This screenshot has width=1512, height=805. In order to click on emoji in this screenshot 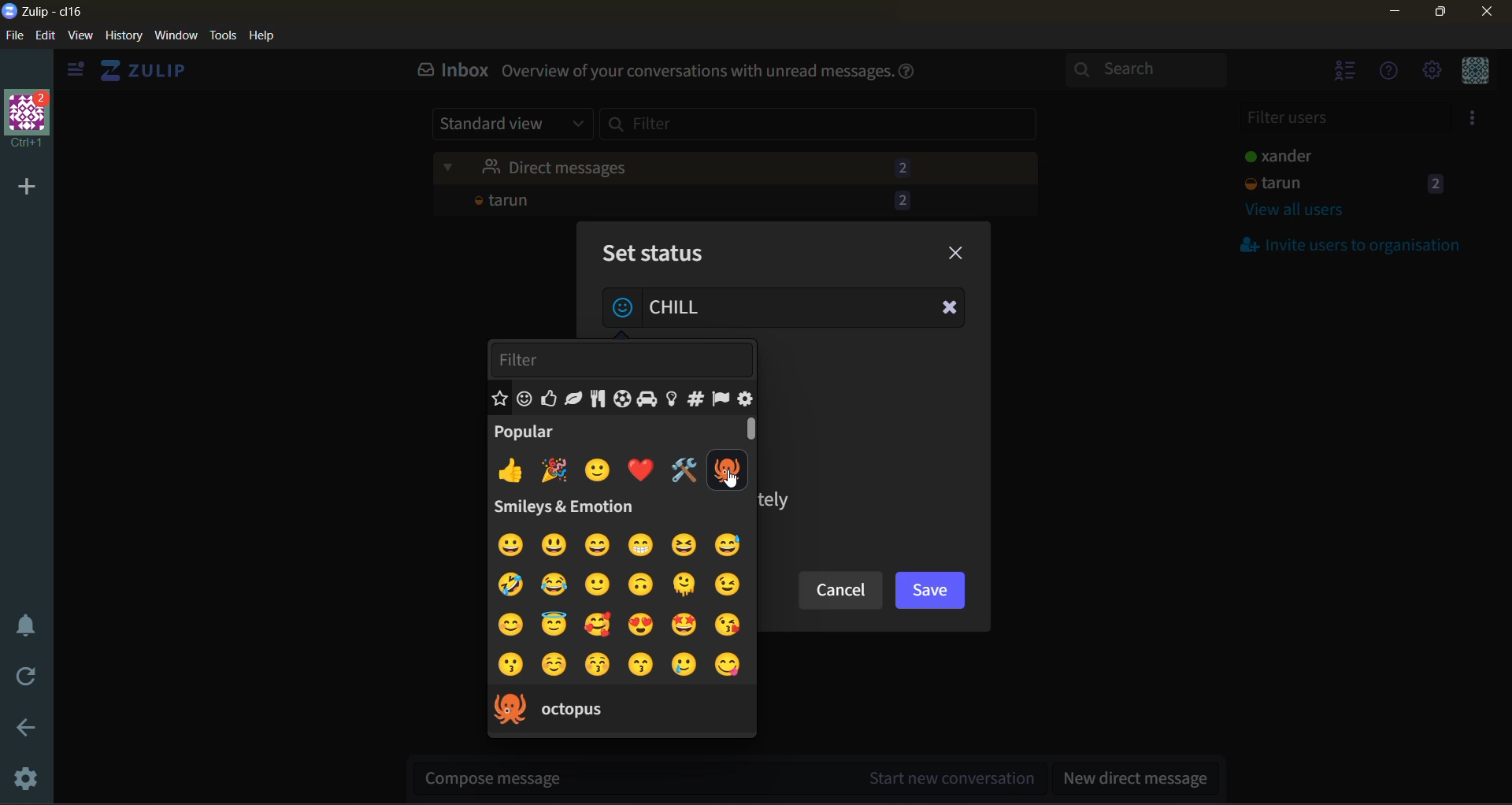, I will do `click(639, 546)`.